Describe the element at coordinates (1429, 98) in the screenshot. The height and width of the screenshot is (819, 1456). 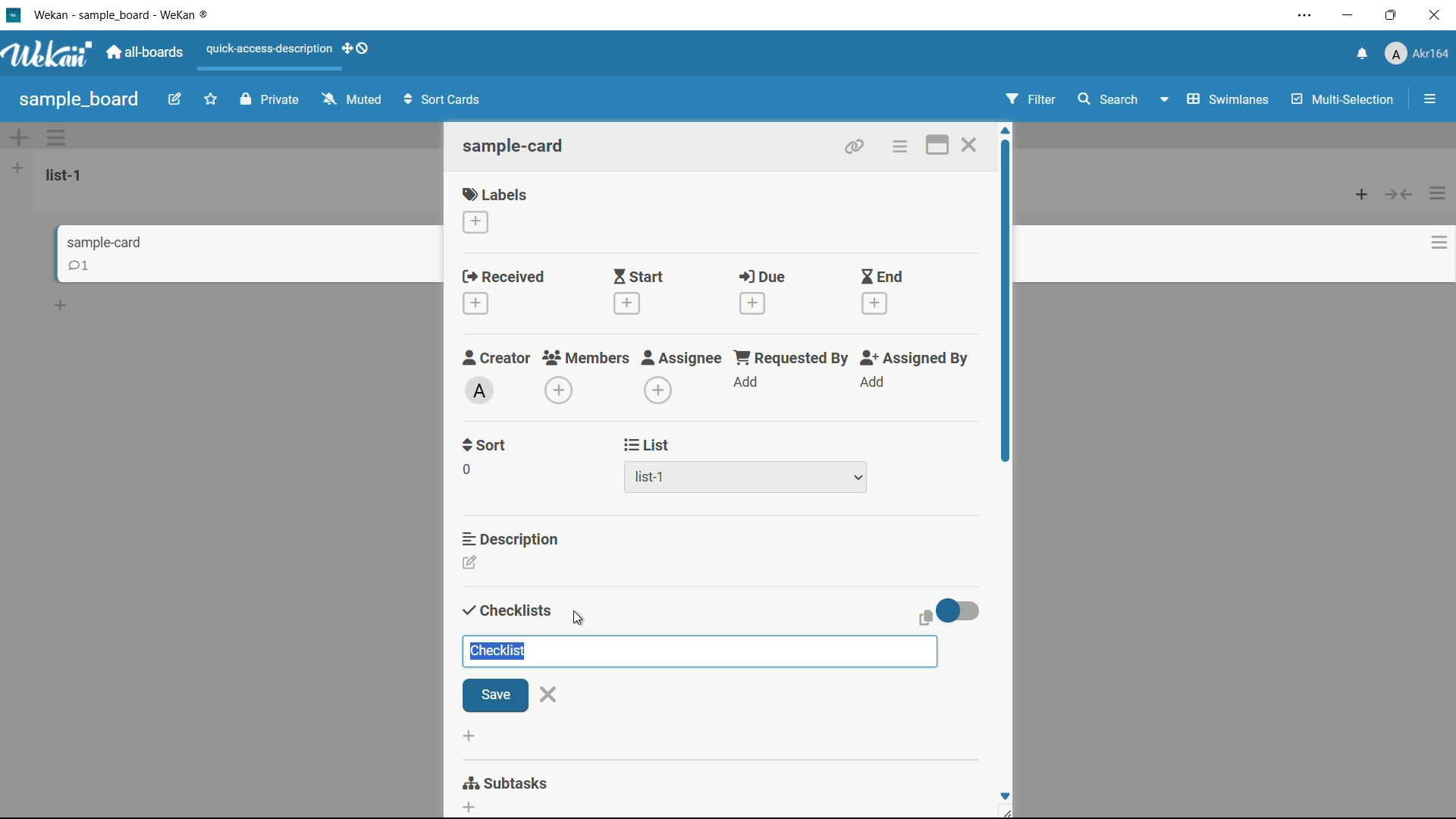
I see `menu` at that location.